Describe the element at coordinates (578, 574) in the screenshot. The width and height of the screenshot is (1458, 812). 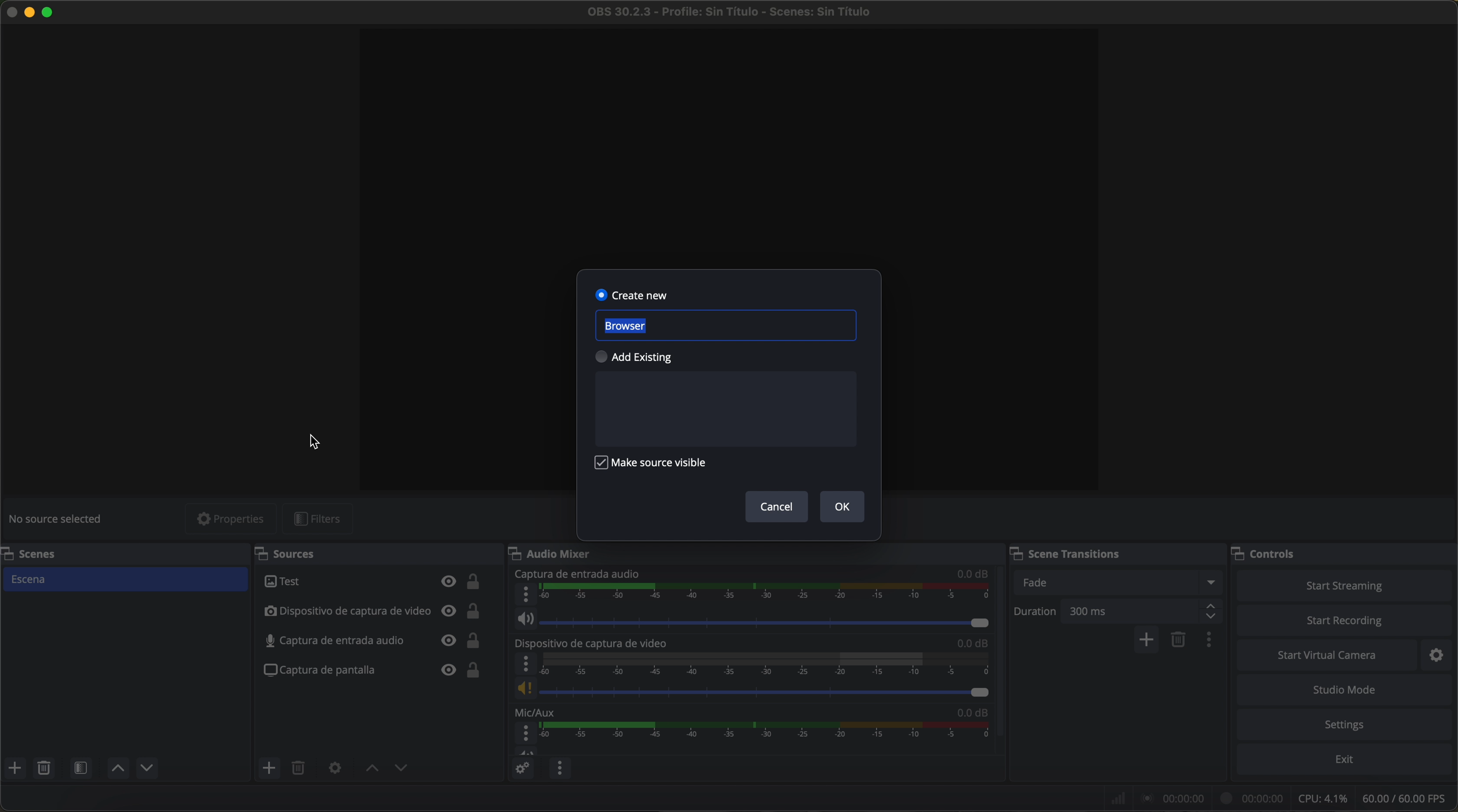
I see `audio input capture` at that location.